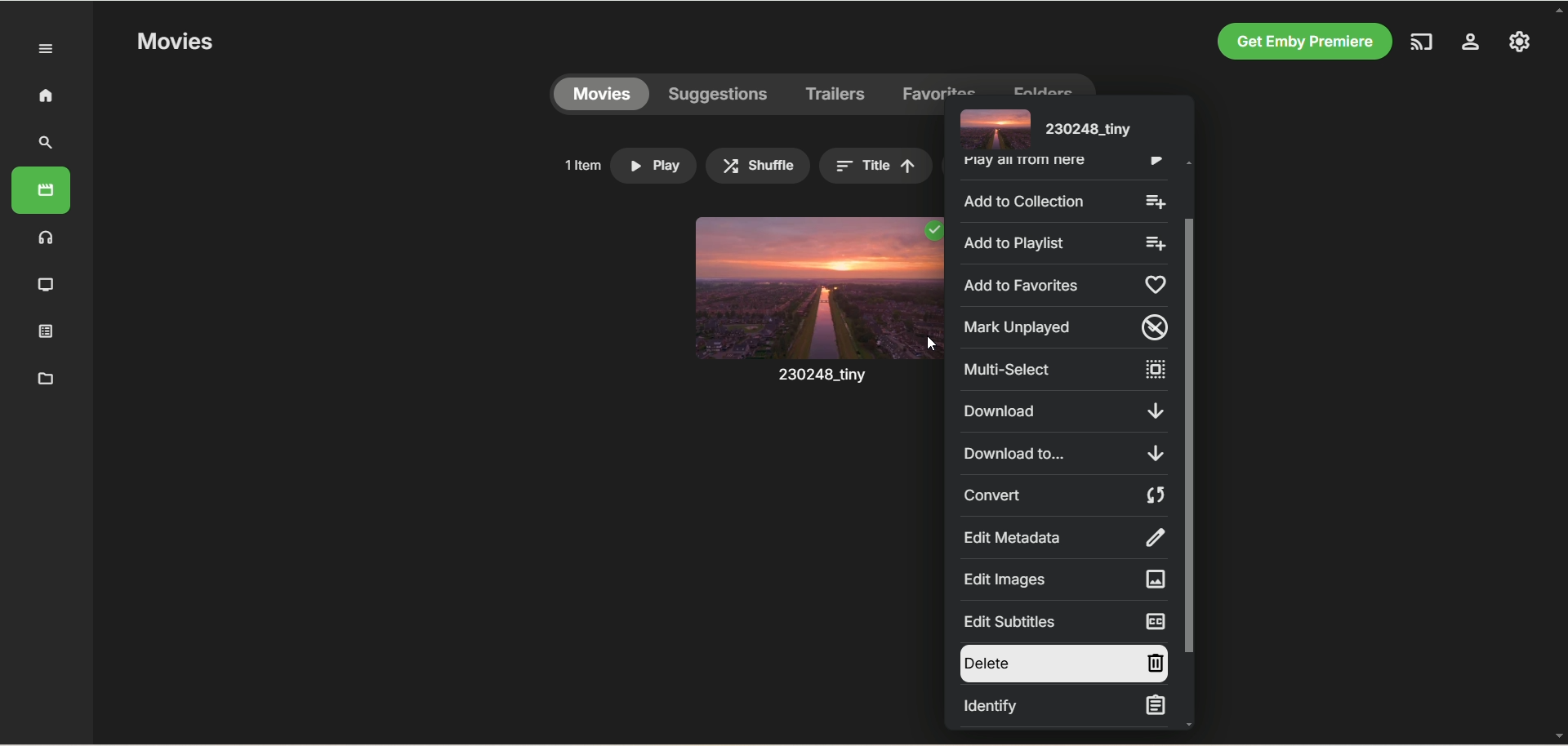  I want to click on manage emby  server, so click(1520, 41).